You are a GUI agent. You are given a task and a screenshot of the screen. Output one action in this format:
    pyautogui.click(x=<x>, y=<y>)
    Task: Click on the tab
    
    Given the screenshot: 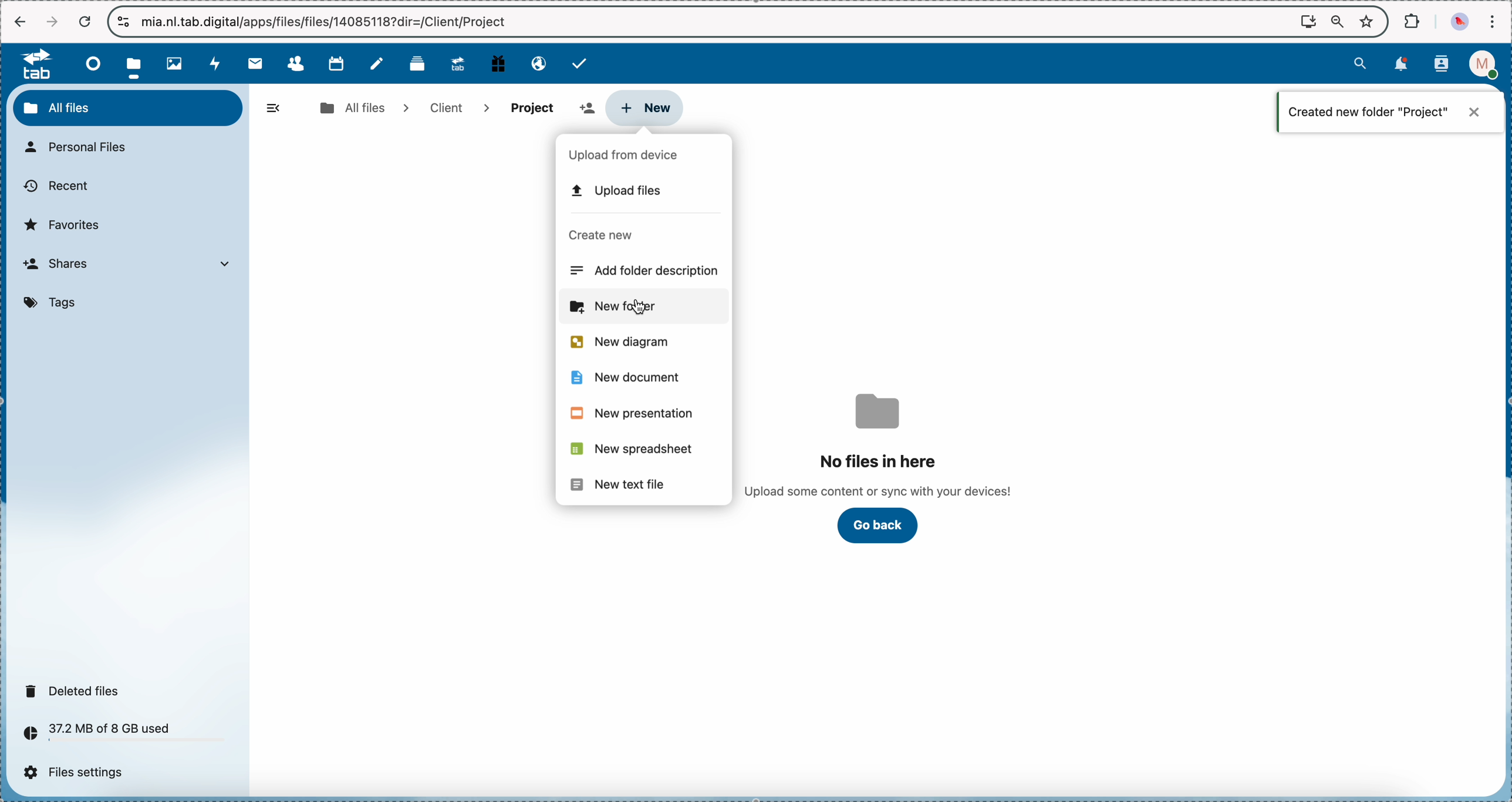 What is the action you would take?
    pyautogui.click(x=31, y=63)
    